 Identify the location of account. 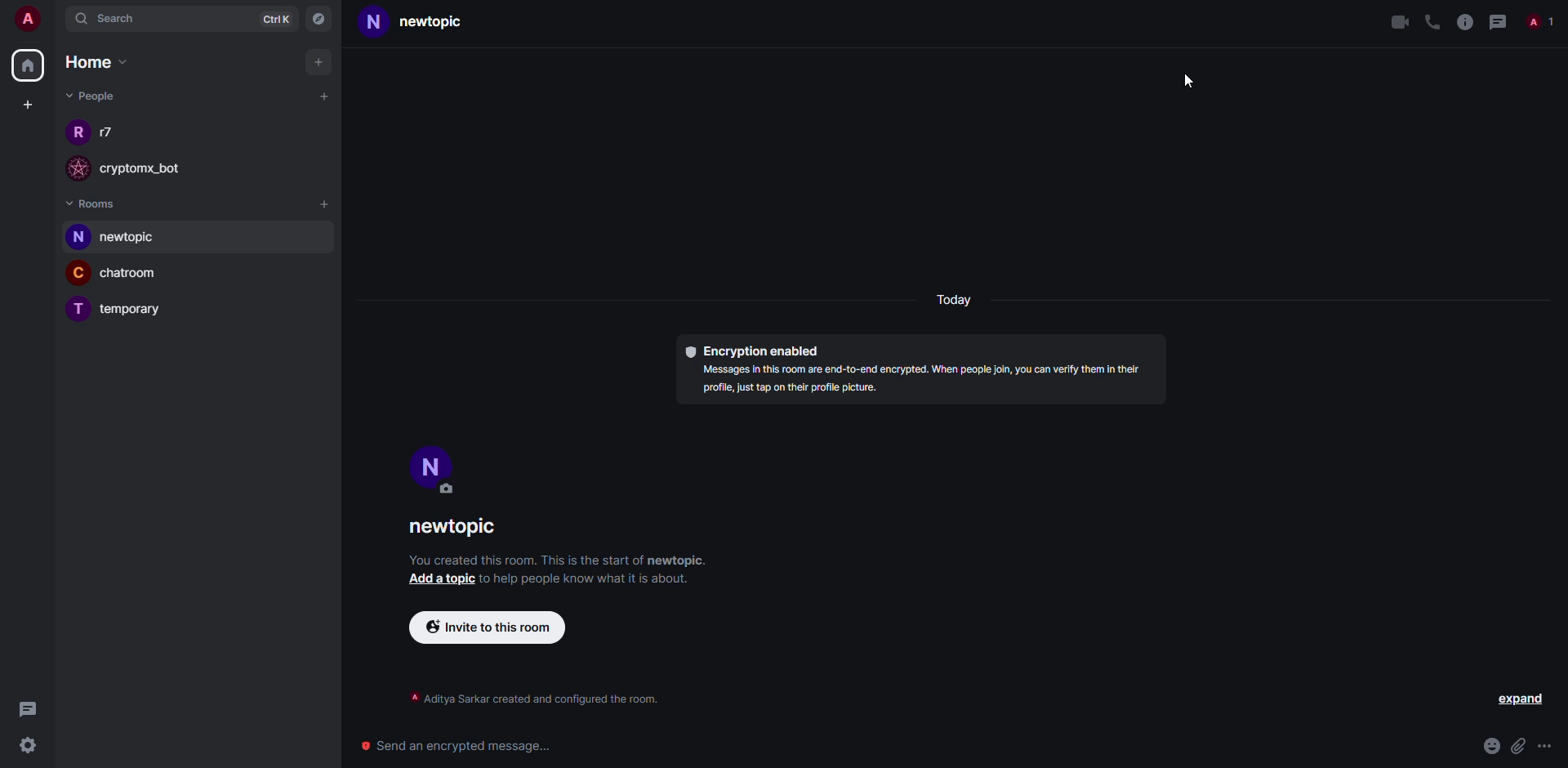
(33, 21).